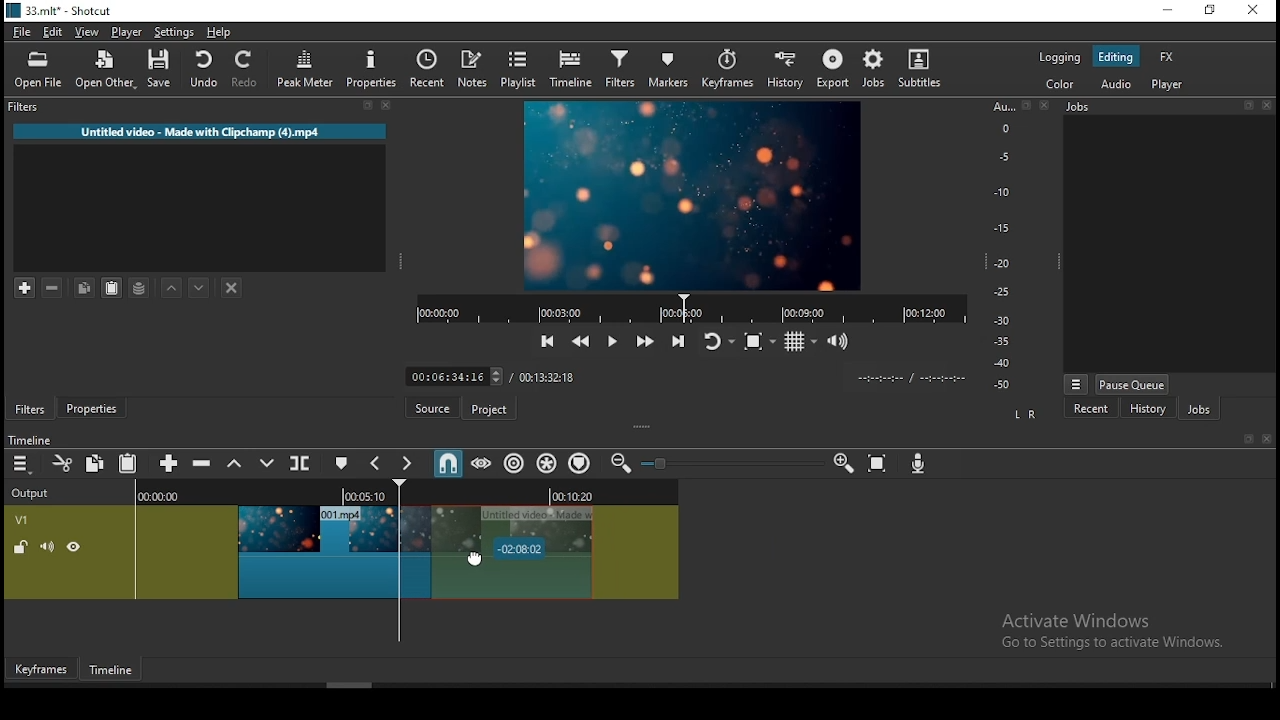 The width and height of the screenshot is (1280, 720). I want to click on paste filter, so click(110, 287).